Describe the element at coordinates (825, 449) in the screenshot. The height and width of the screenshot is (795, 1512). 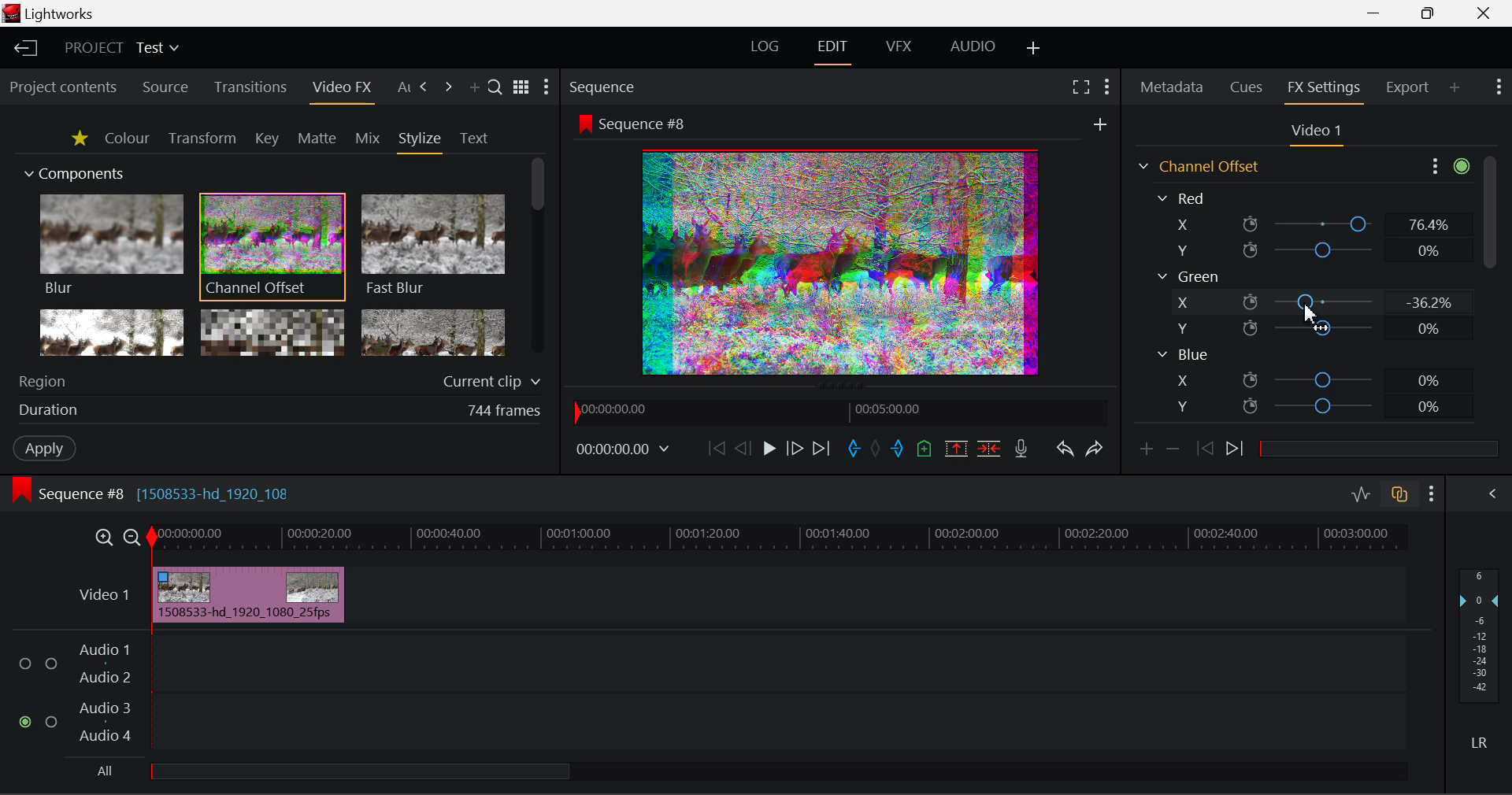
I see `To End` at that location.